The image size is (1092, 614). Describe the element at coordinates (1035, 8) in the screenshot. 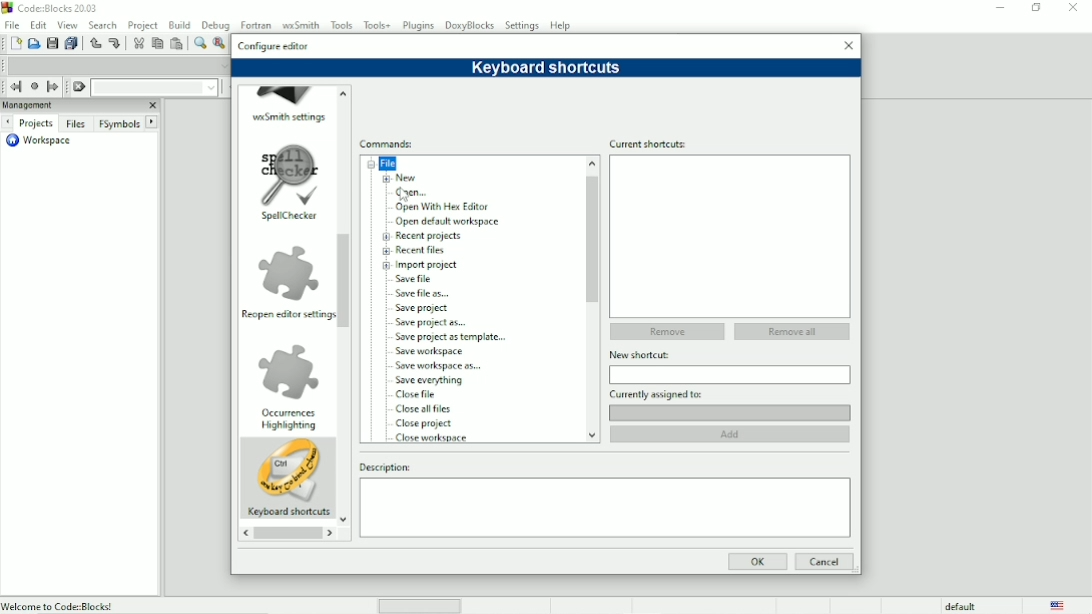

I see `Maximize` at that location.